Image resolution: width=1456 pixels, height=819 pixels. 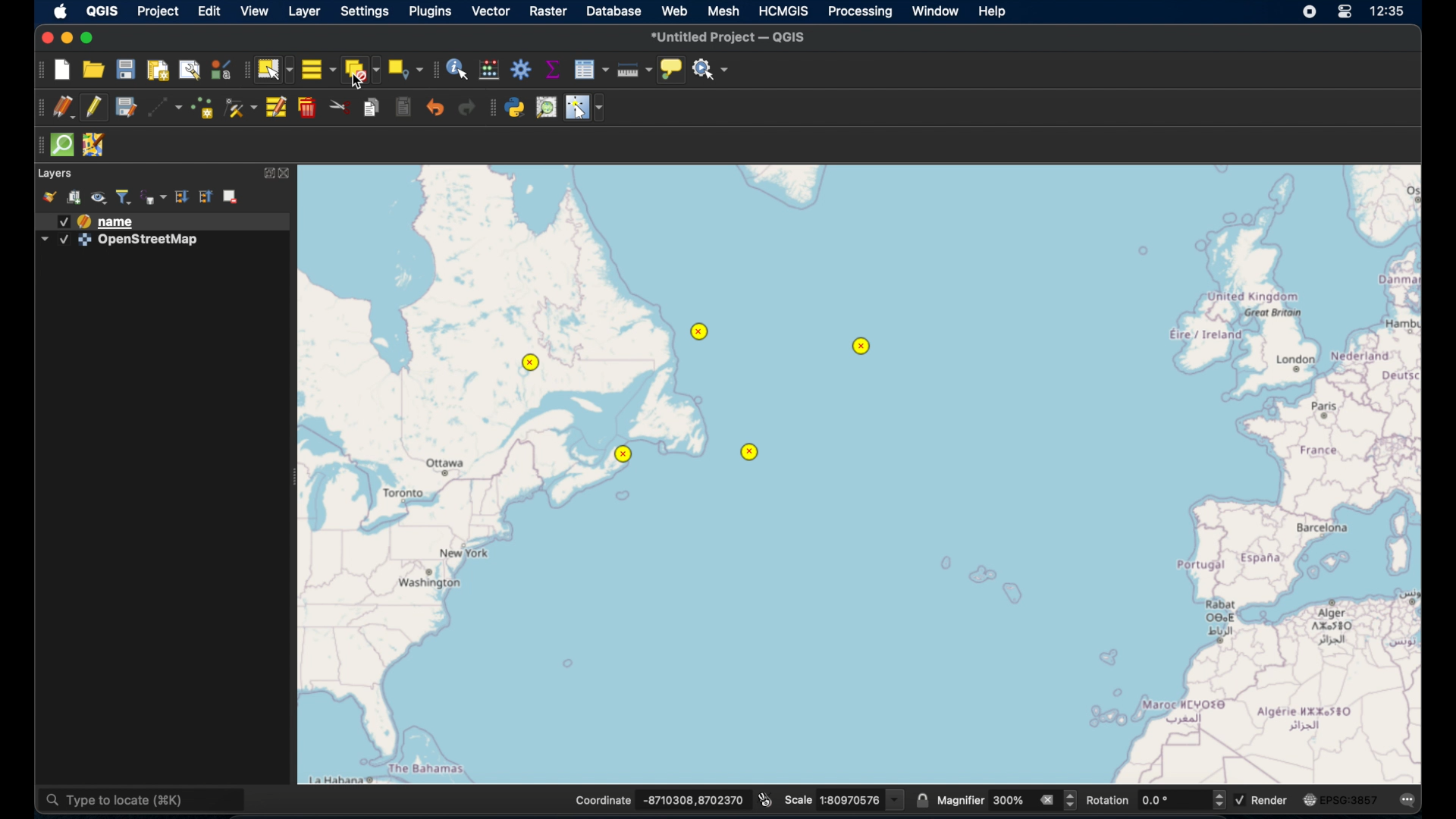 What do you see at coordinates (670, 70) in the screenshot?
I see `show map tips` at bounding box center [670, 70].